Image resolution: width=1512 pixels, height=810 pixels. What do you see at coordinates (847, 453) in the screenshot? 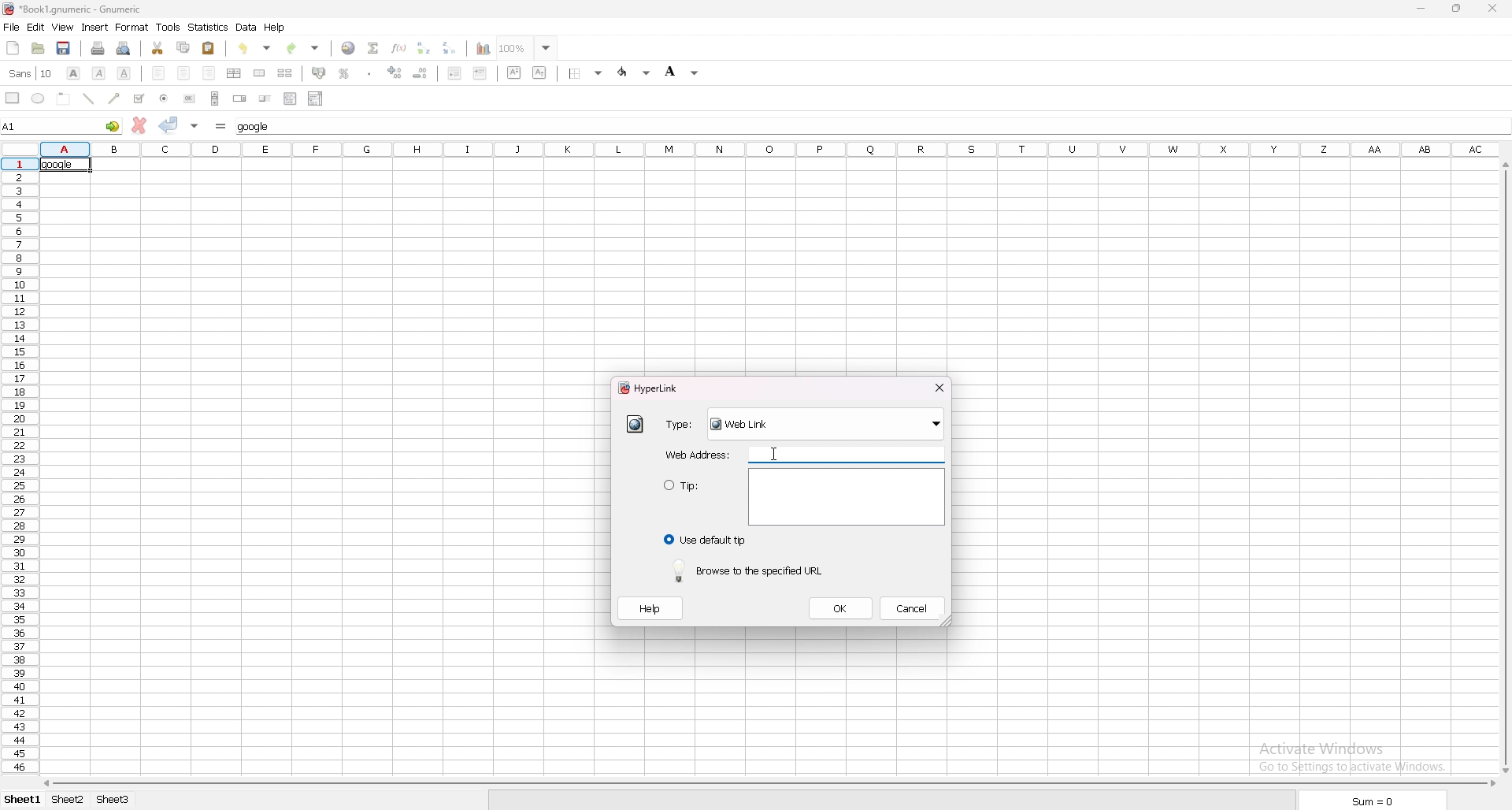
I see `web address input` at bounding box center [847, 453].